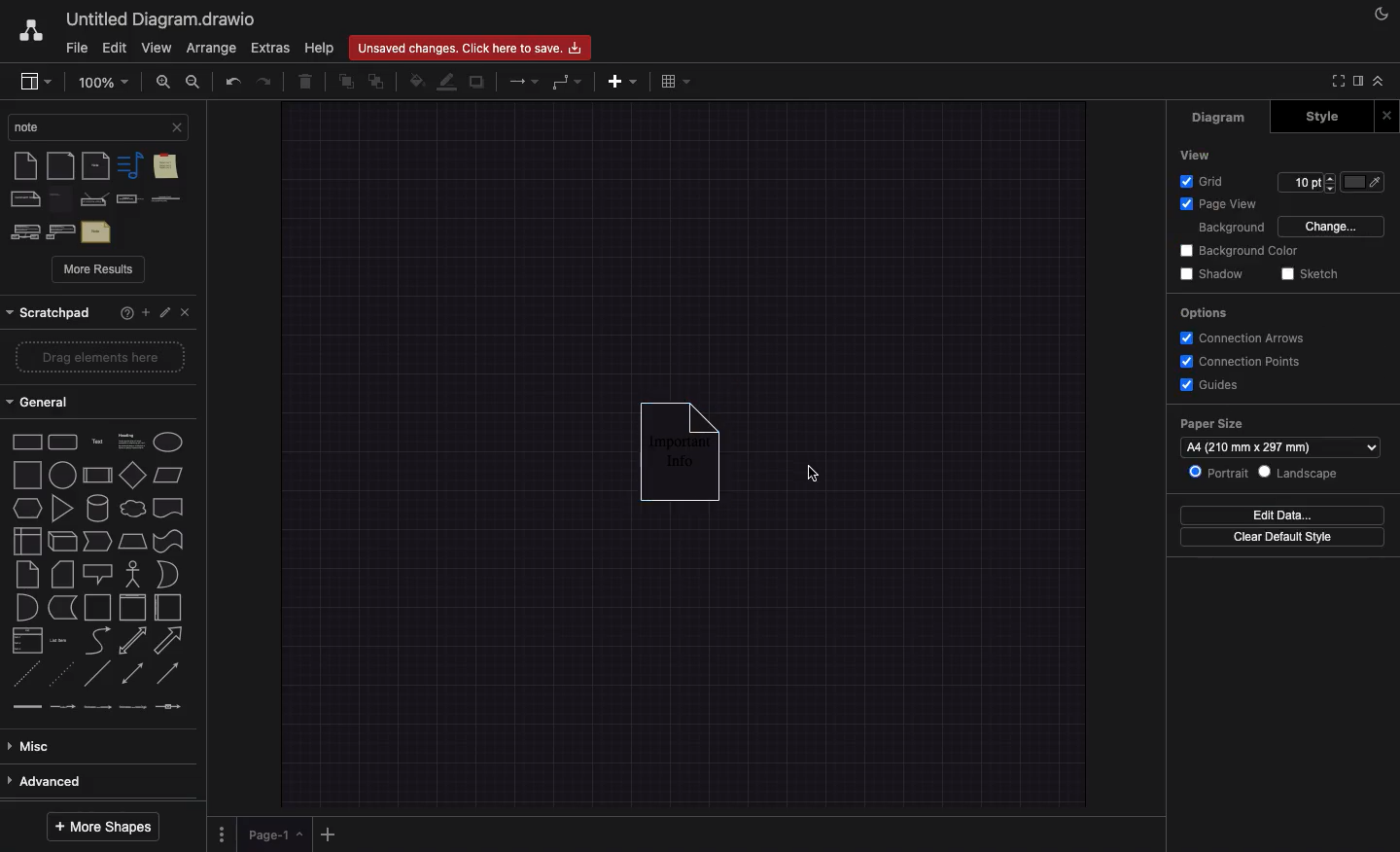 This screenshot has width=1400, height=852. What do you see at coordinates (1364, 183) in the screenshot?
I see `Fill` at bounding box center [1364, 183].